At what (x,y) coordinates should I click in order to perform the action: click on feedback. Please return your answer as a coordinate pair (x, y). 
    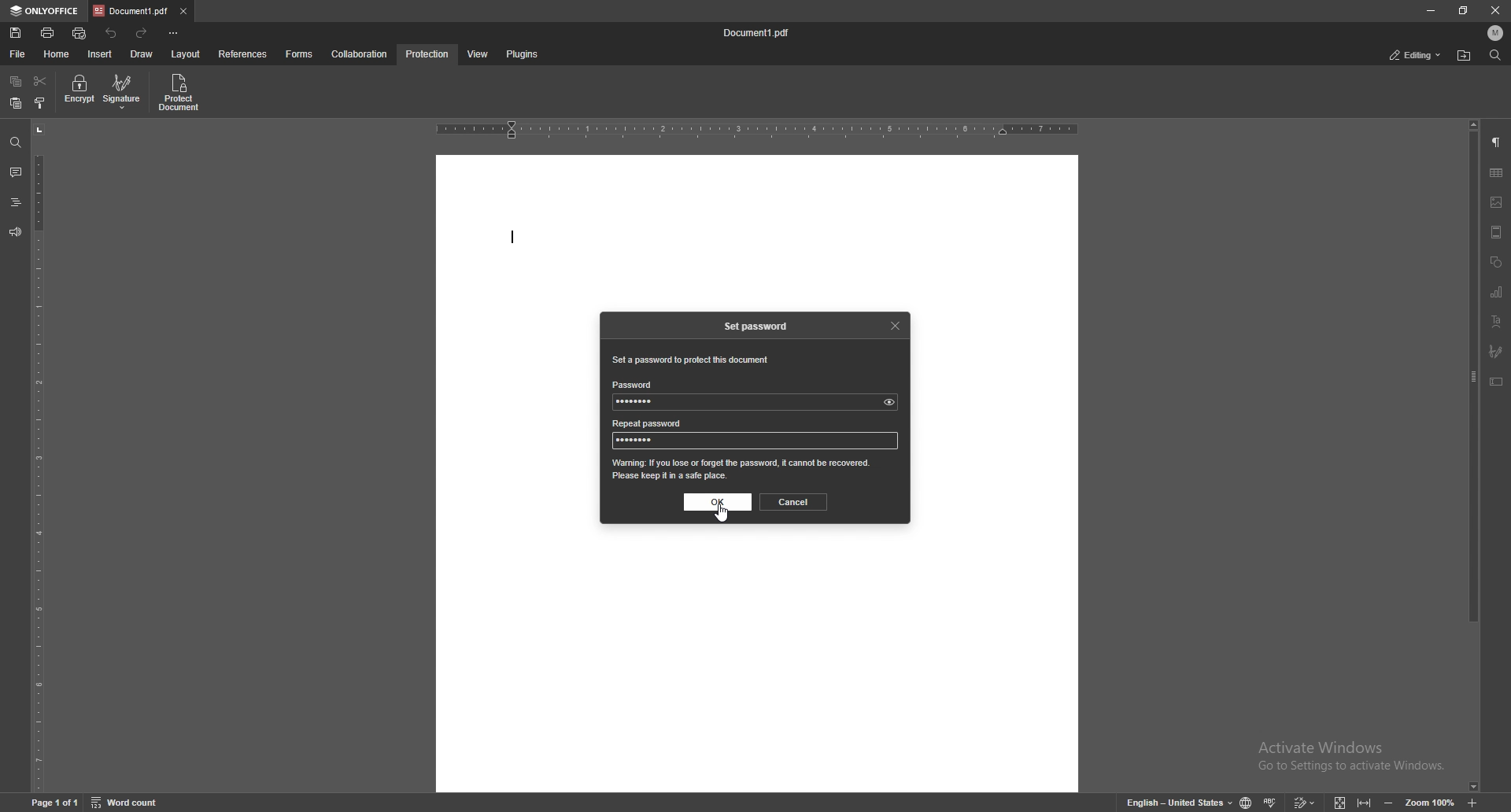
    Looking at the image, I should click on (14, 233).